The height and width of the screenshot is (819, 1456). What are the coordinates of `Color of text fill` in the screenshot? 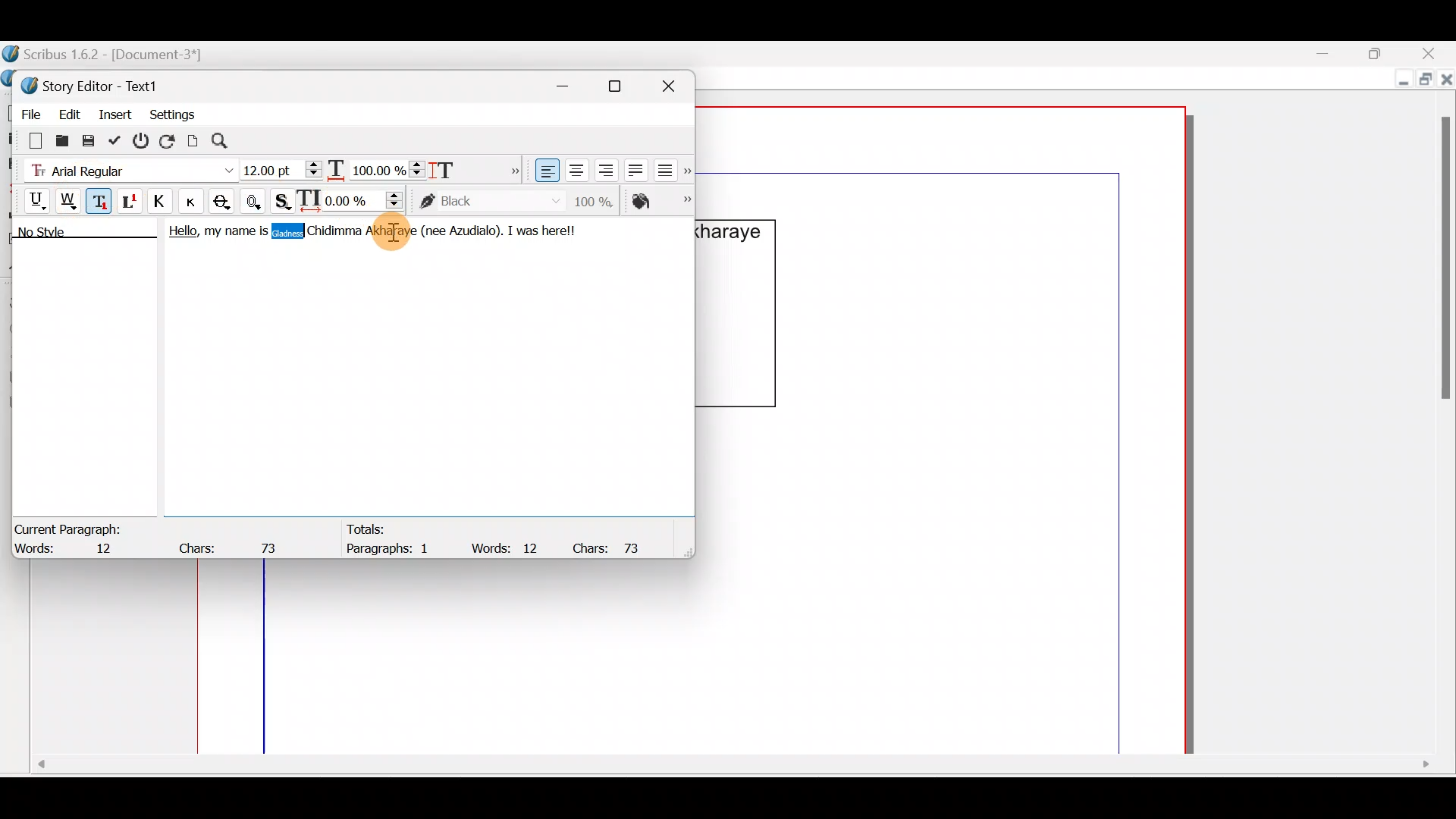 It's located at (660, 201).